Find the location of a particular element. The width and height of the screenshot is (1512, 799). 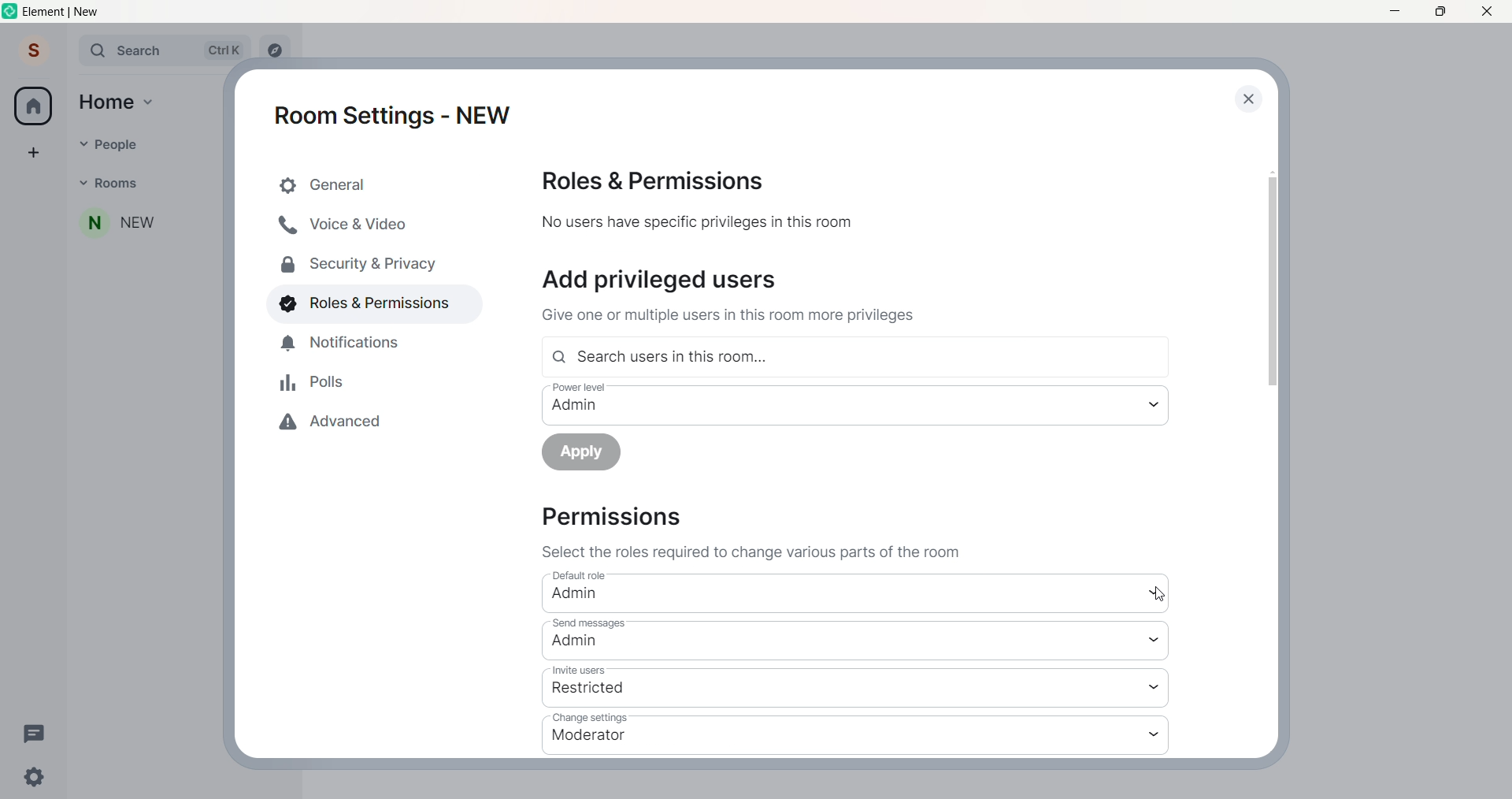

default role dropdown is located at coordinates (1157, 593).